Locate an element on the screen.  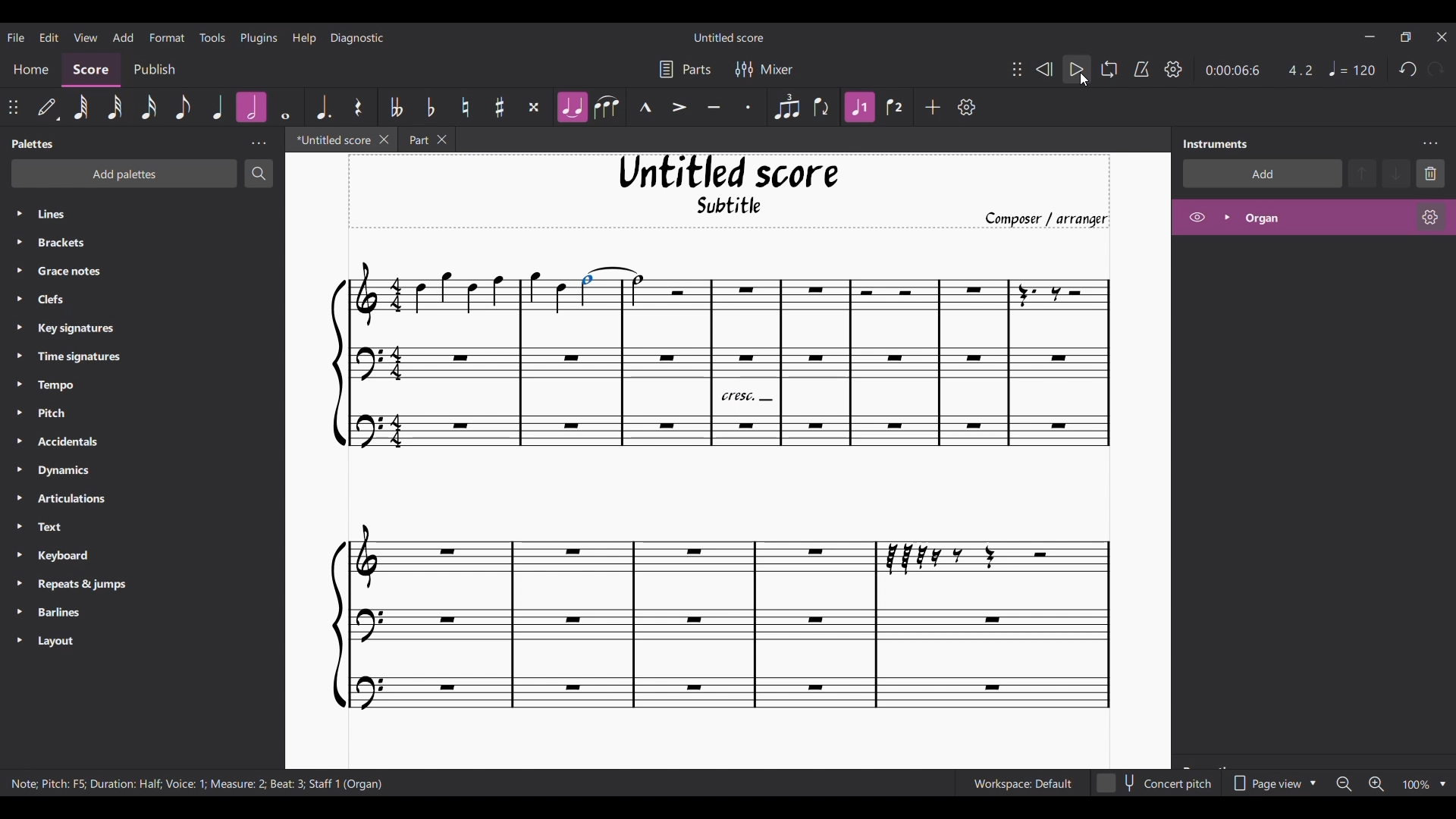
Toggle sharp is located at coordinates (500, 107).